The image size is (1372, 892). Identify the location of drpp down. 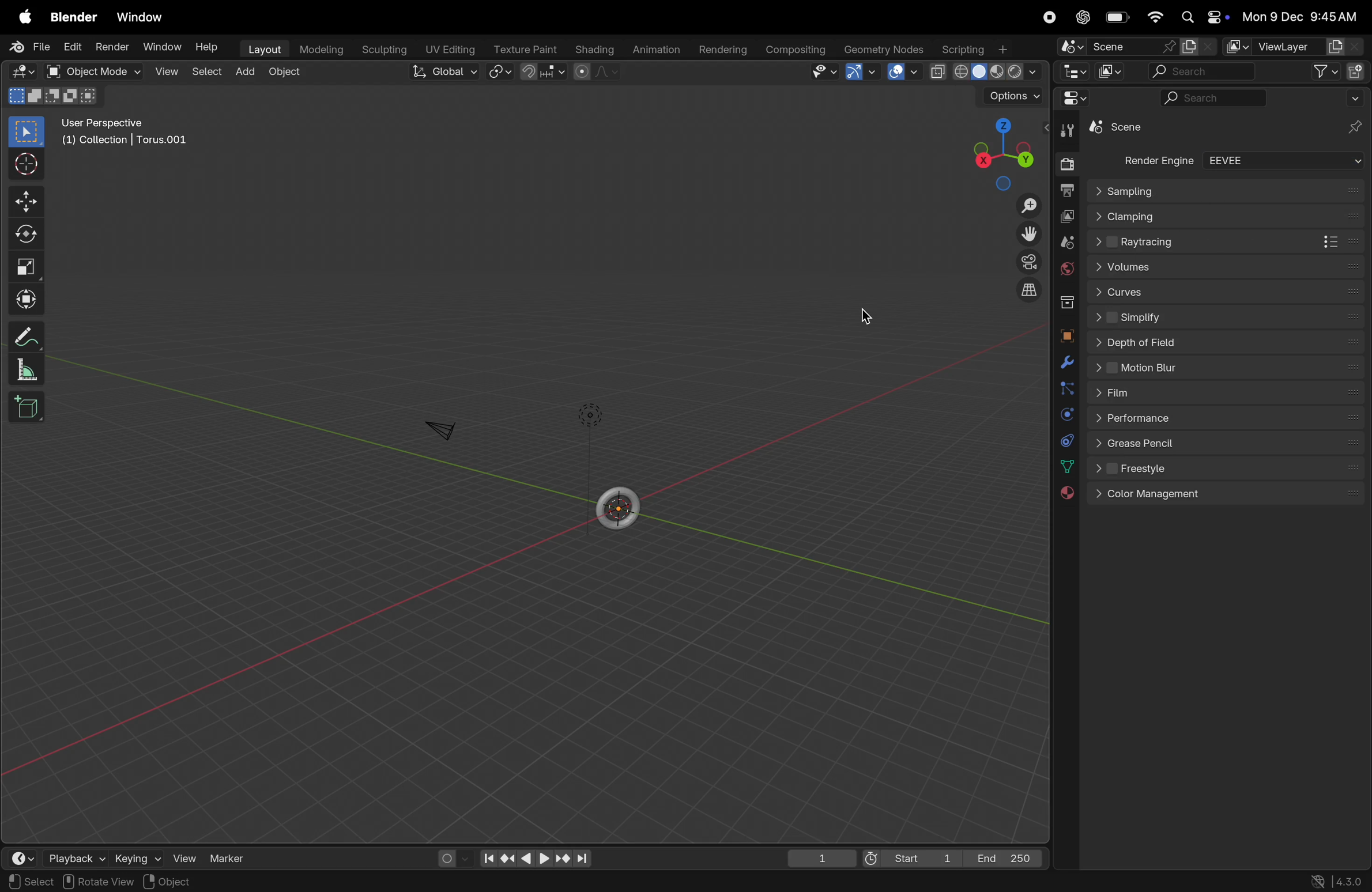
(1355, 100).